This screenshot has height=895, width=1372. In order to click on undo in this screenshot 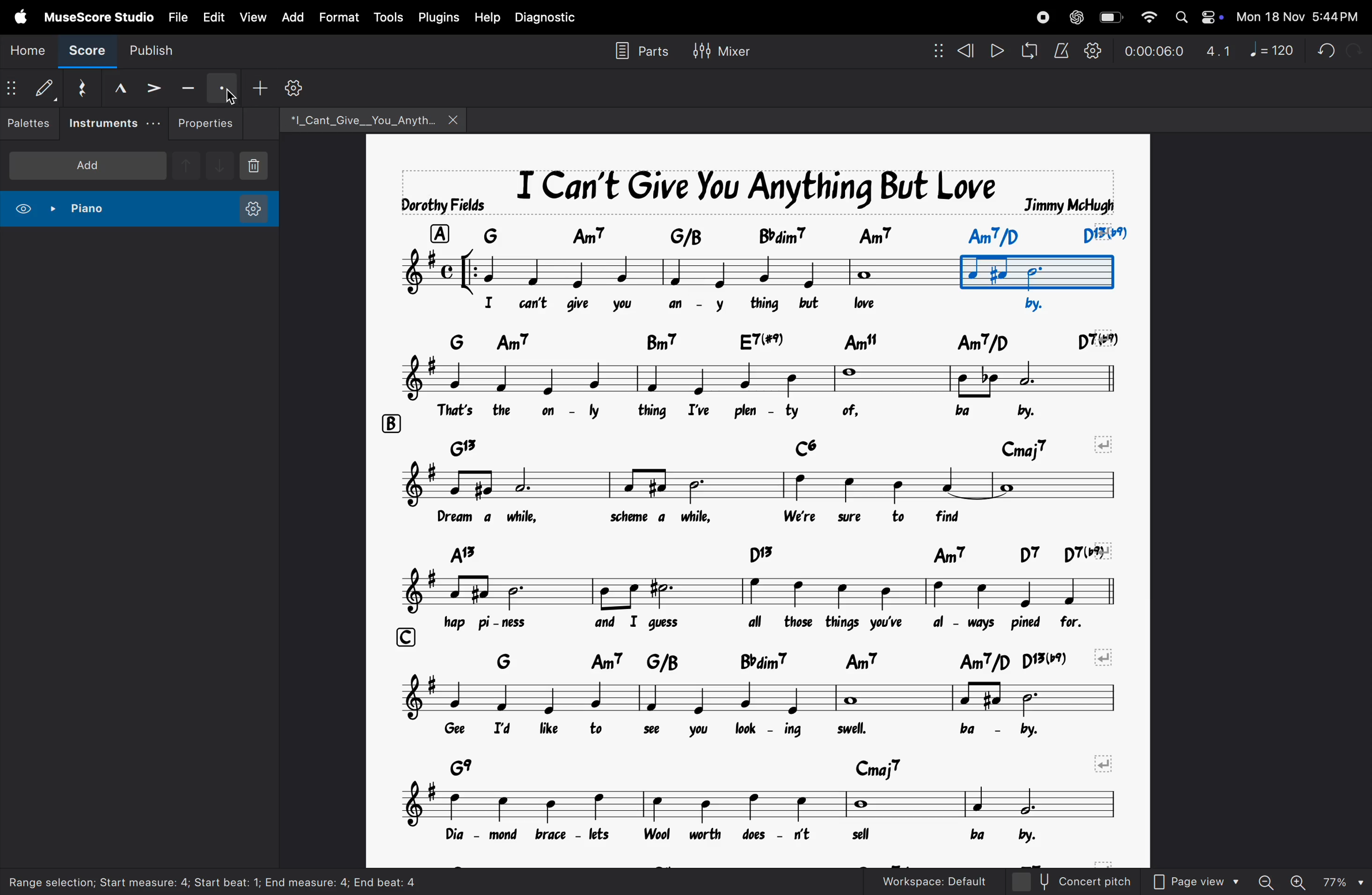, I will do `click(1322, 48)`.